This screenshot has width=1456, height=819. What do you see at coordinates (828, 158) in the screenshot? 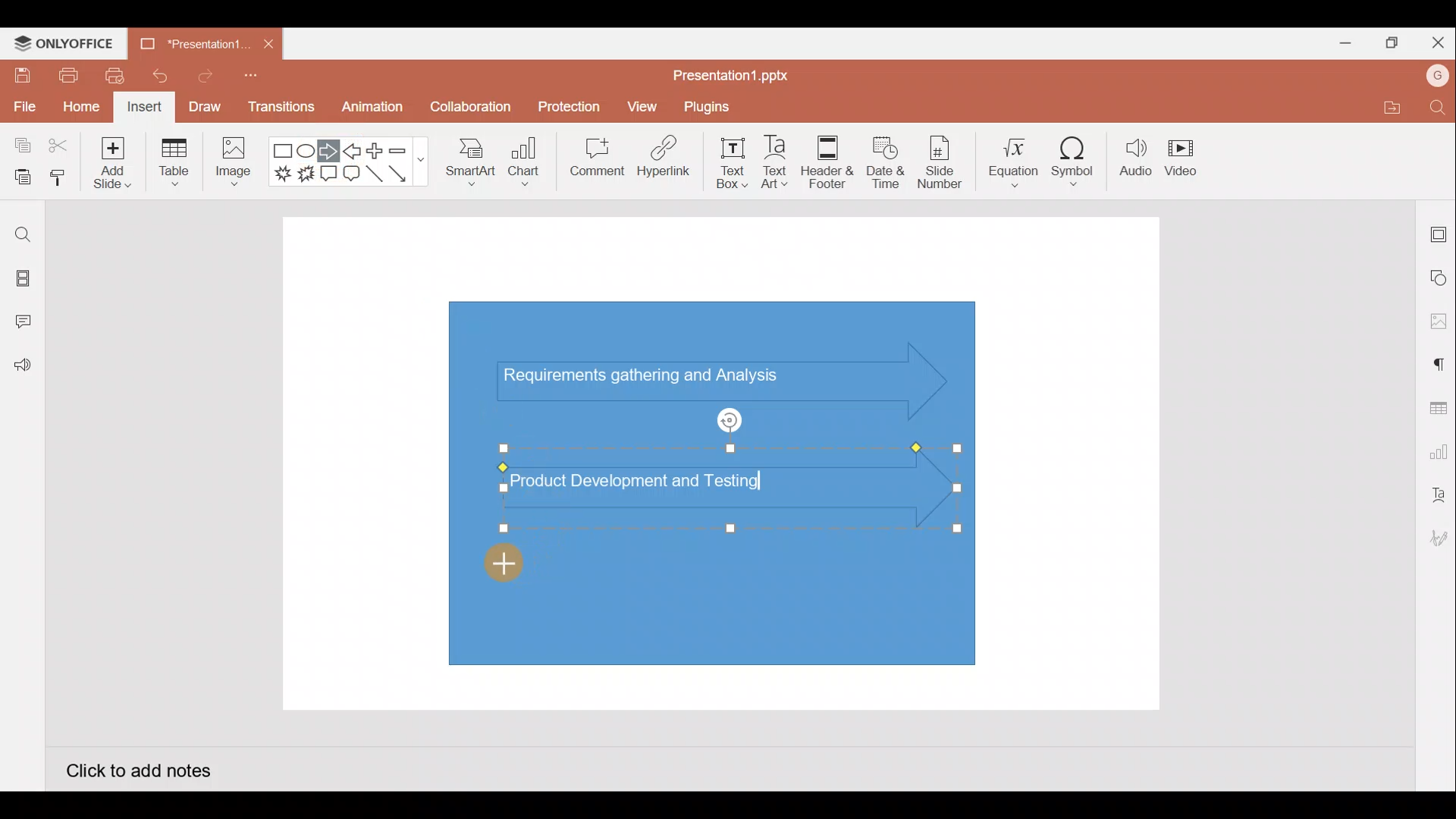
I see `Header & footer` at bounding box center [828, 158].